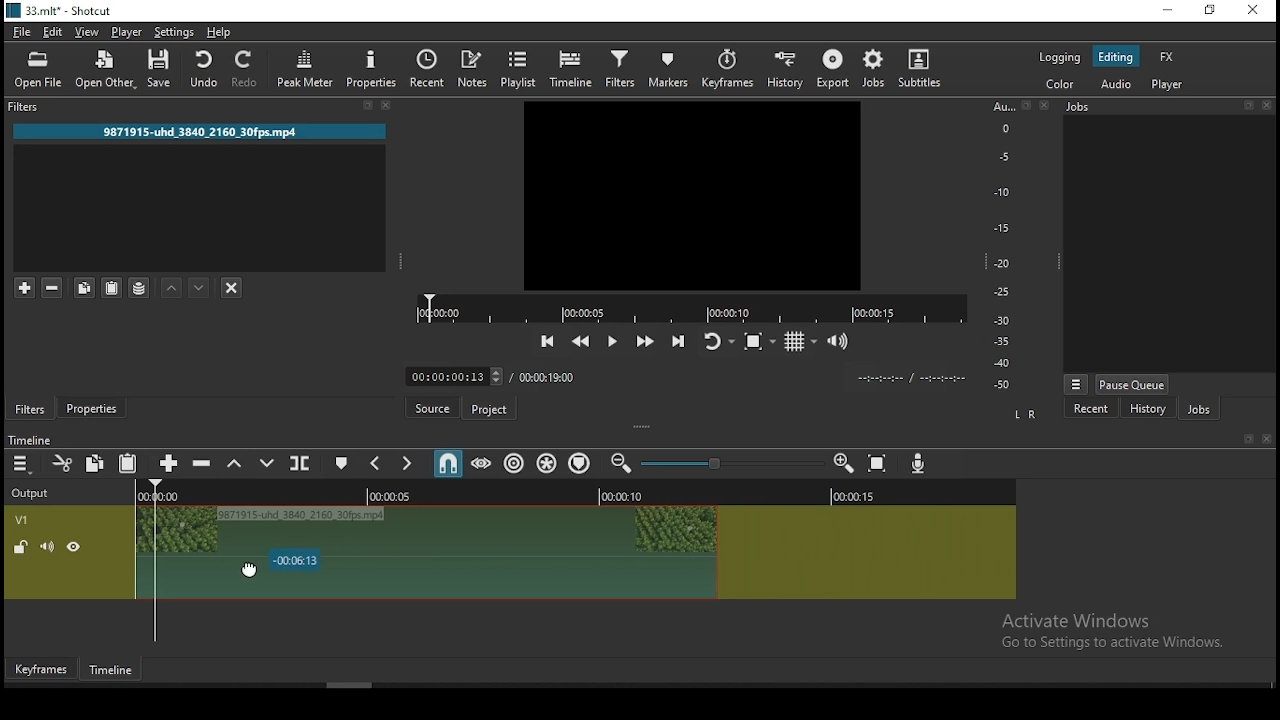 This screenshot has height=720, width=1280. I want to click on properties, so click(96, 408).